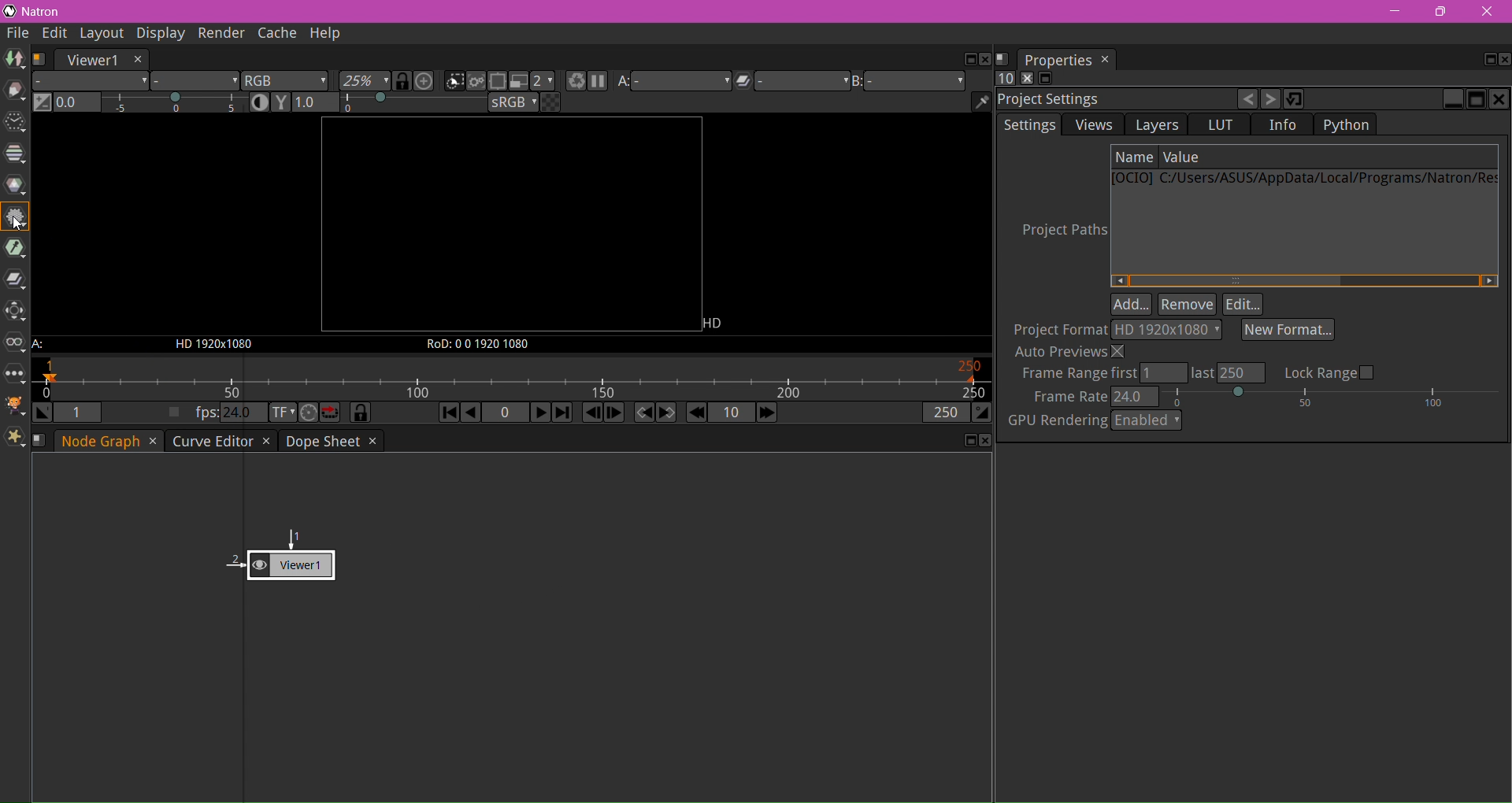 Image resolution: width=1512 pixels, height=803 pixels. What do you see at coordinates (1044, 80) in the screenshot?
I see `Minimize/Maximize all panels` at bounding box center [1044, 80].